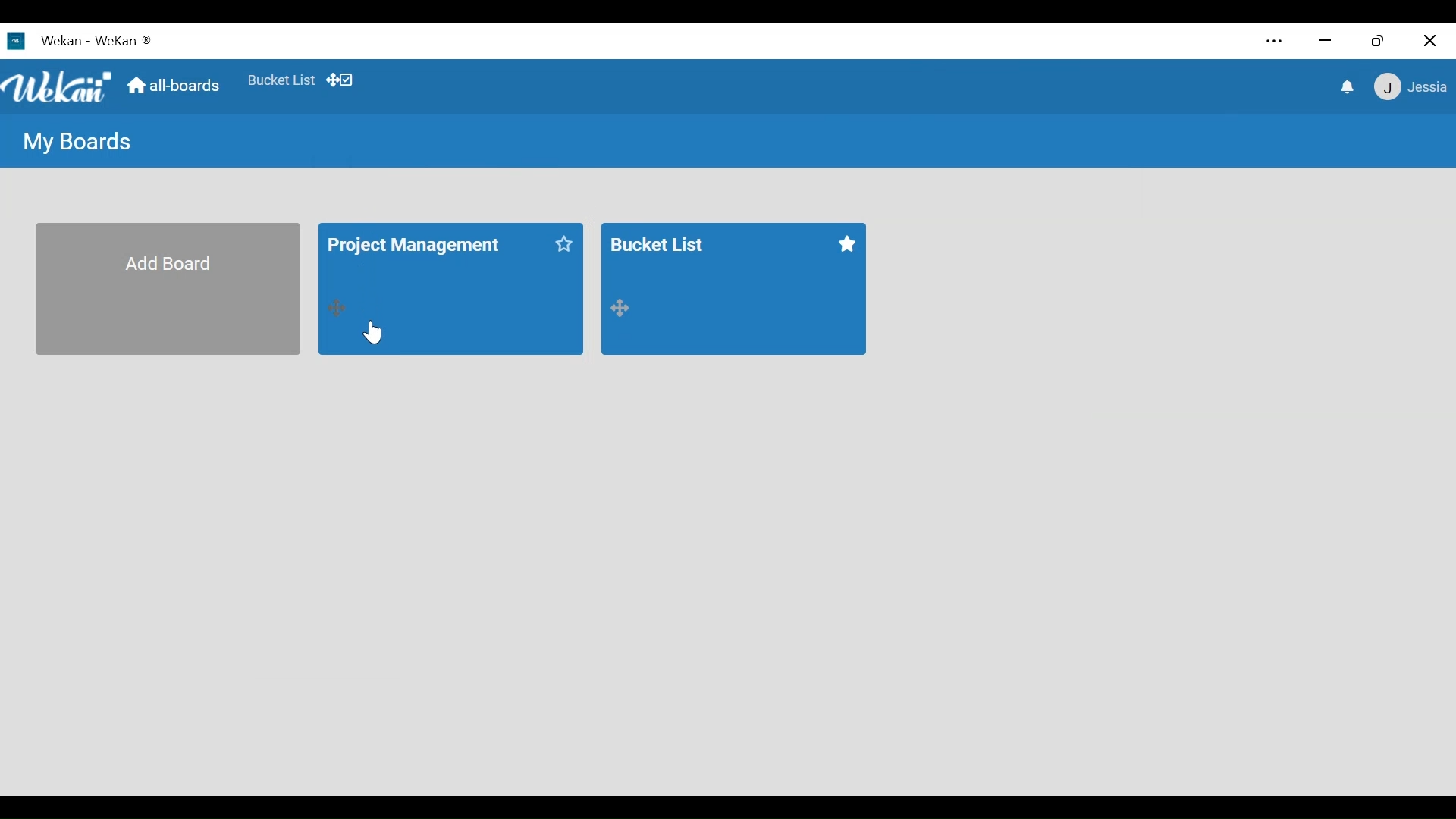 The image size is (1456, 819). What do you see at coordinates (664, 243) in the screenshot?
I see `board title` at bounding box center [664, 243].